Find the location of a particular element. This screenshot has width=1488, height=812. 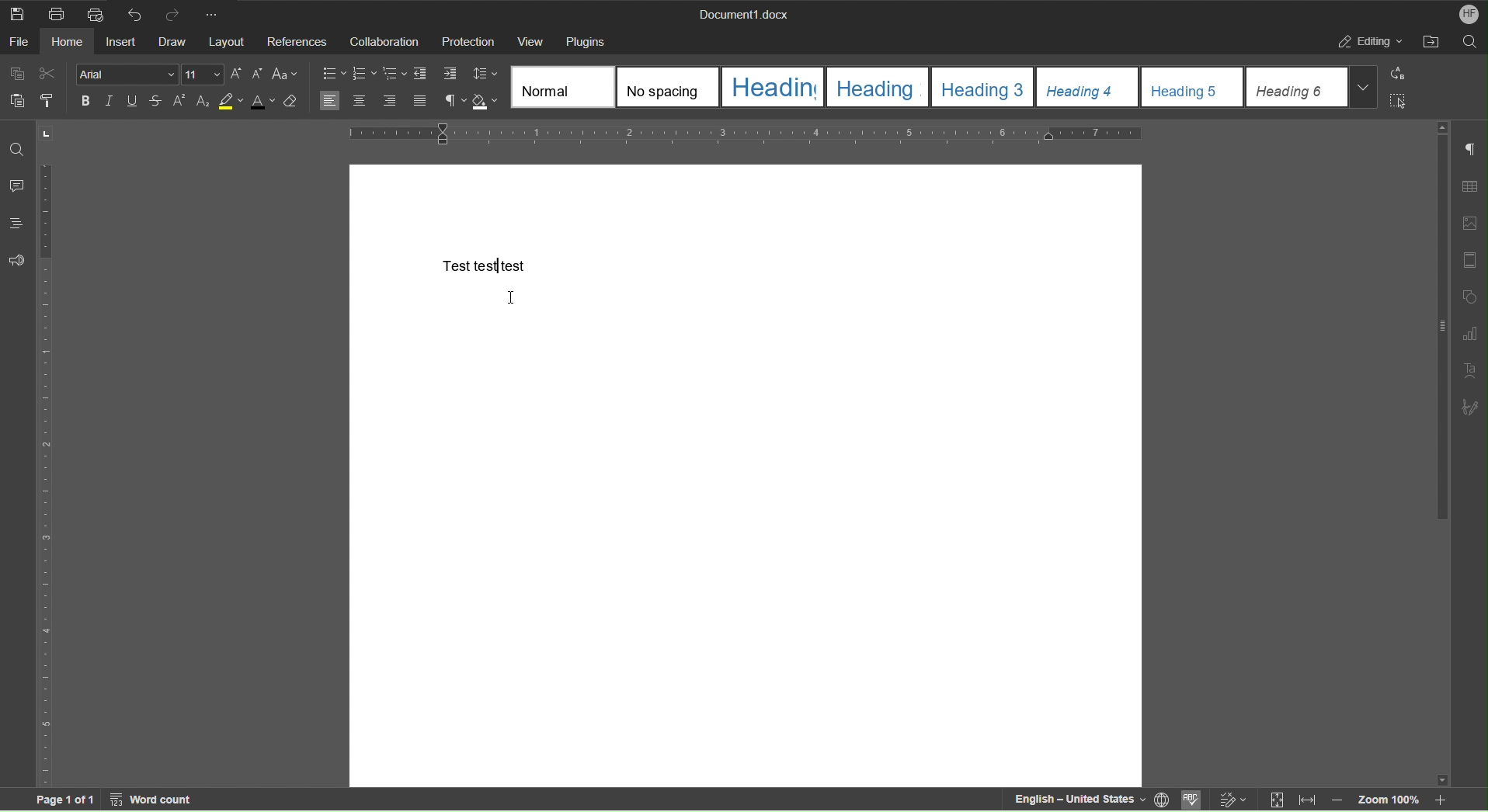

Insert is located at coordinates (125, 40).